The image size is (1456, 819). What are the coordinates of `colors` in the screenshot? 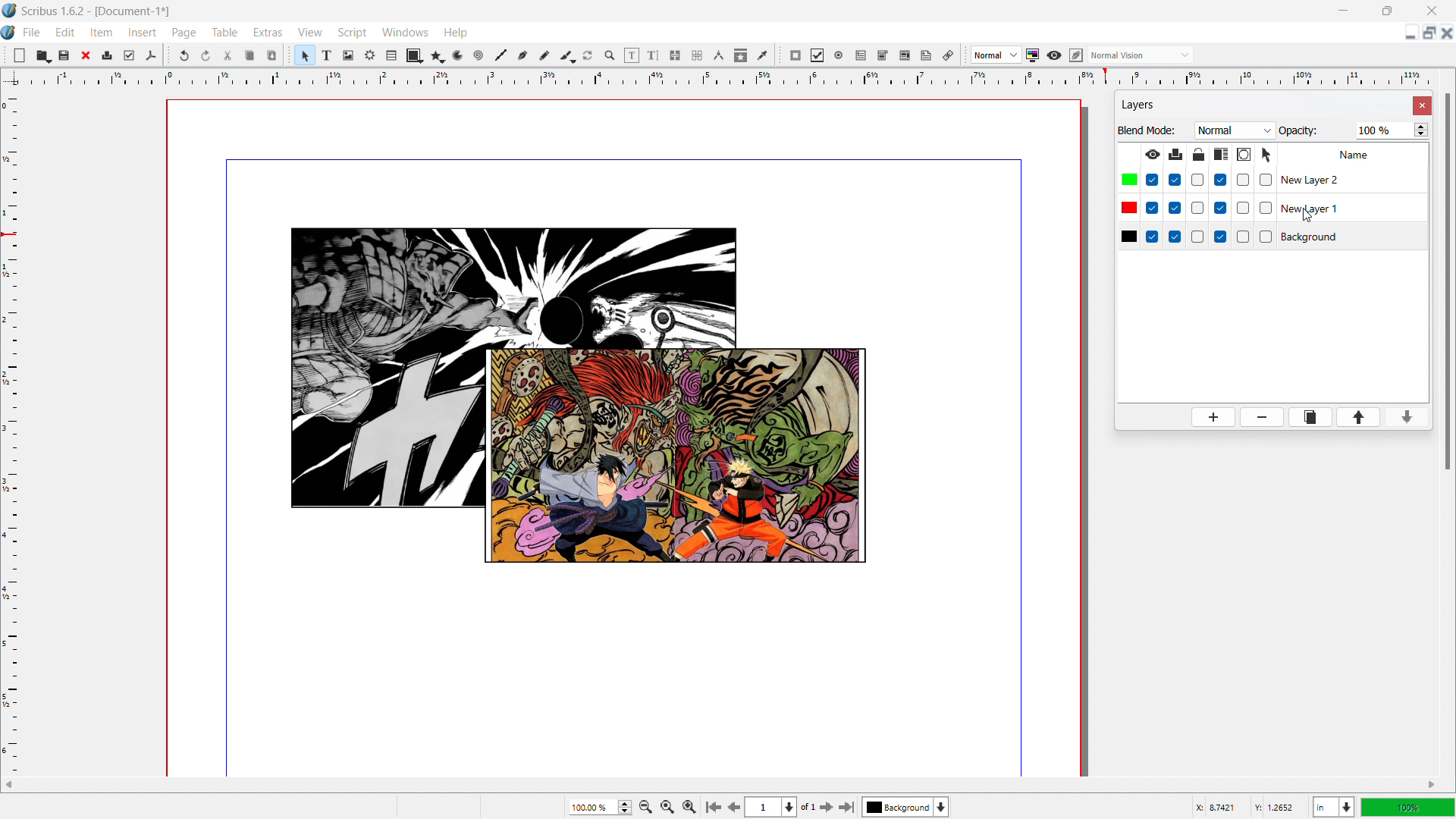 It's located at (1129, 207).